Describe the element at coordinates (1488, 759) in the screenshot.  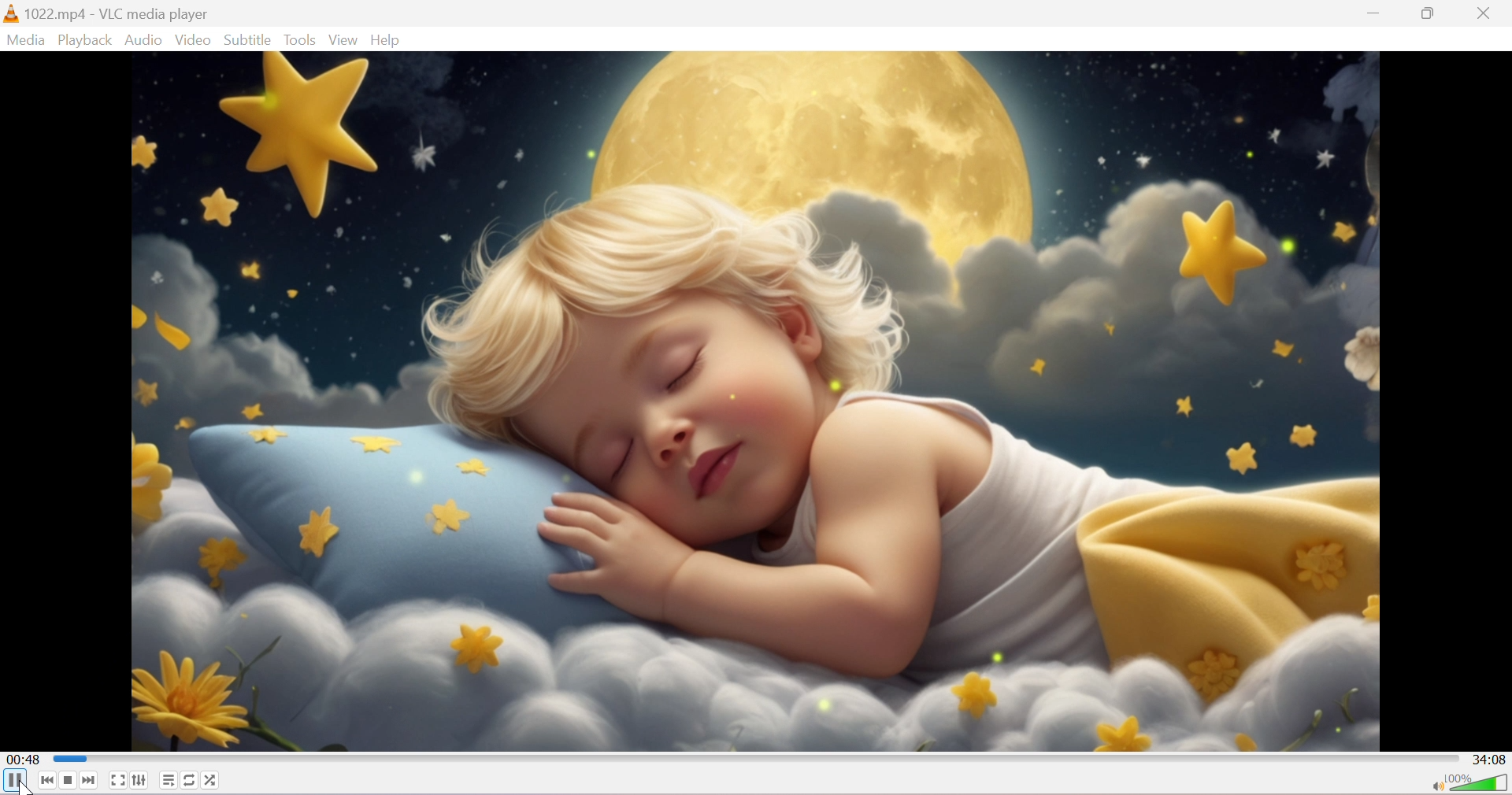
I see `34:08` at that location.